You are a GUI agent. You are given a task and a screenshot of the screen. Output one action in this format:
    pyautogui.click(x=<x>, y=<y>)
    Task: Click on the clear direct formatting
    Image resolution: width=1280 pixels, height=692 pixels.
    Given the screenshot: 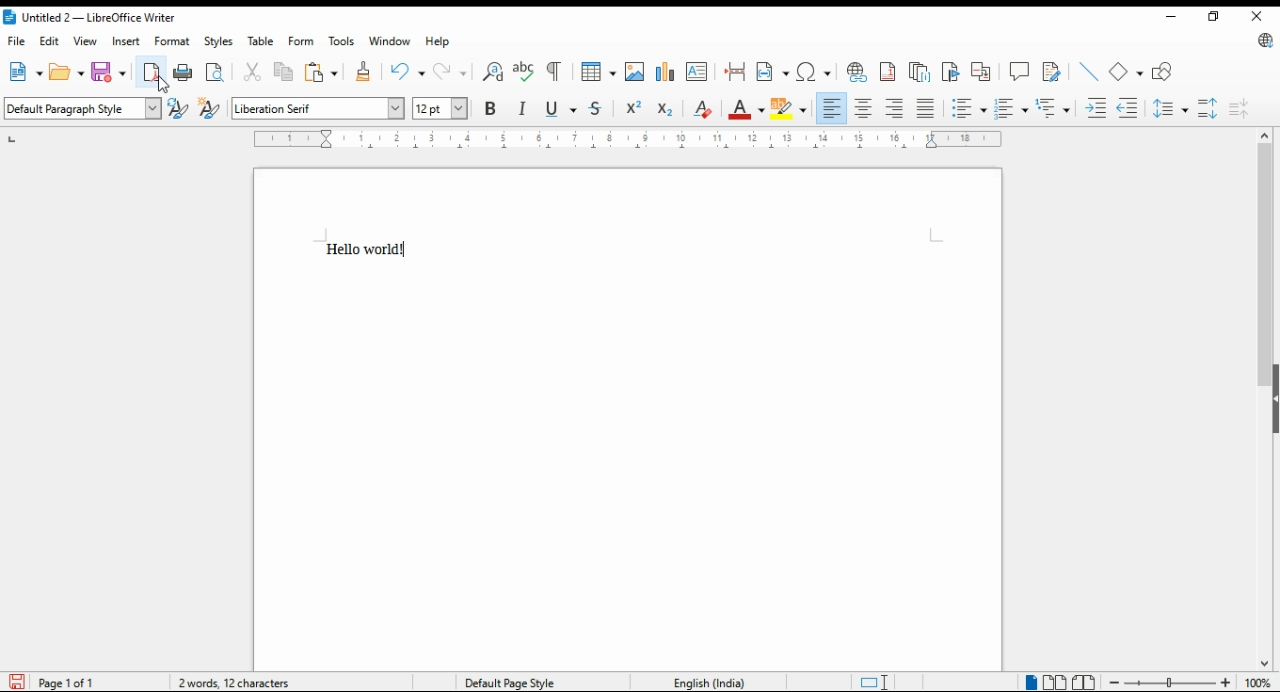 What is the action you would take?
    pyautogui.click(x=702, y=111)
    